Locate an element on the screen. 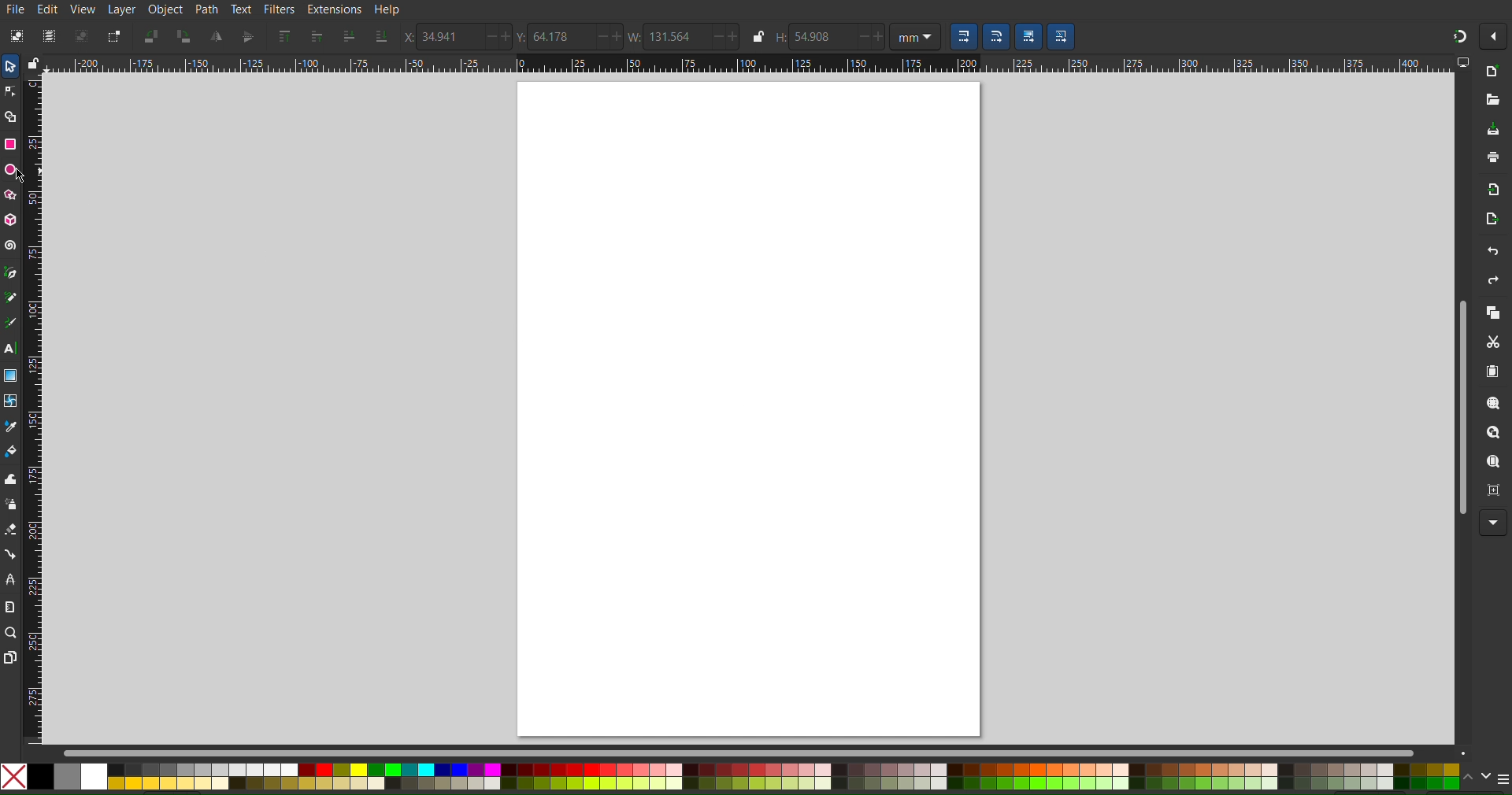  Color Fill is located at coordinates (11, 451).